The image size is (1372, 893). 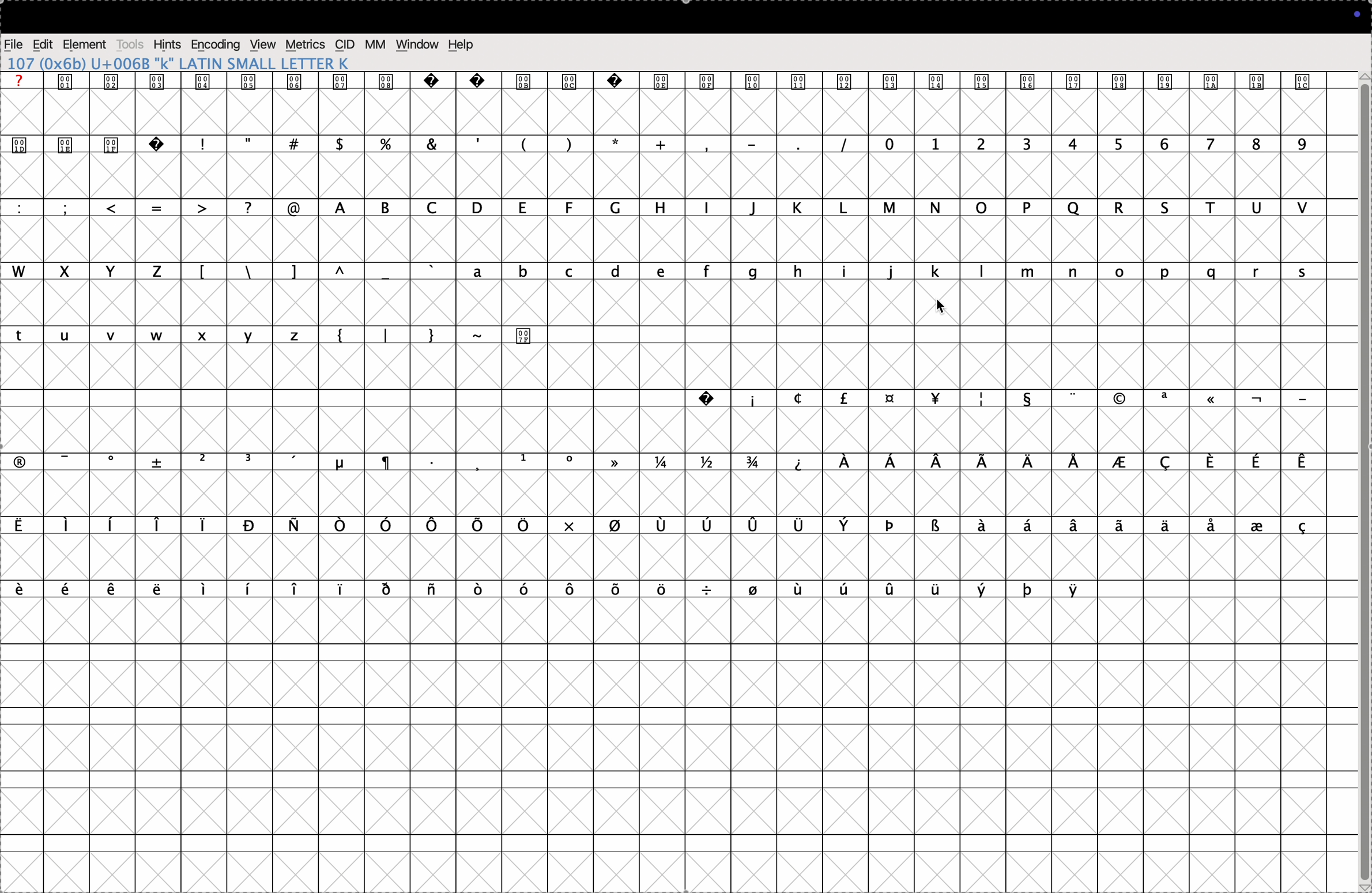 What do you see at coordinates (299, 336) in the screenshot?
I see `z` at bounding box center [299, 336].